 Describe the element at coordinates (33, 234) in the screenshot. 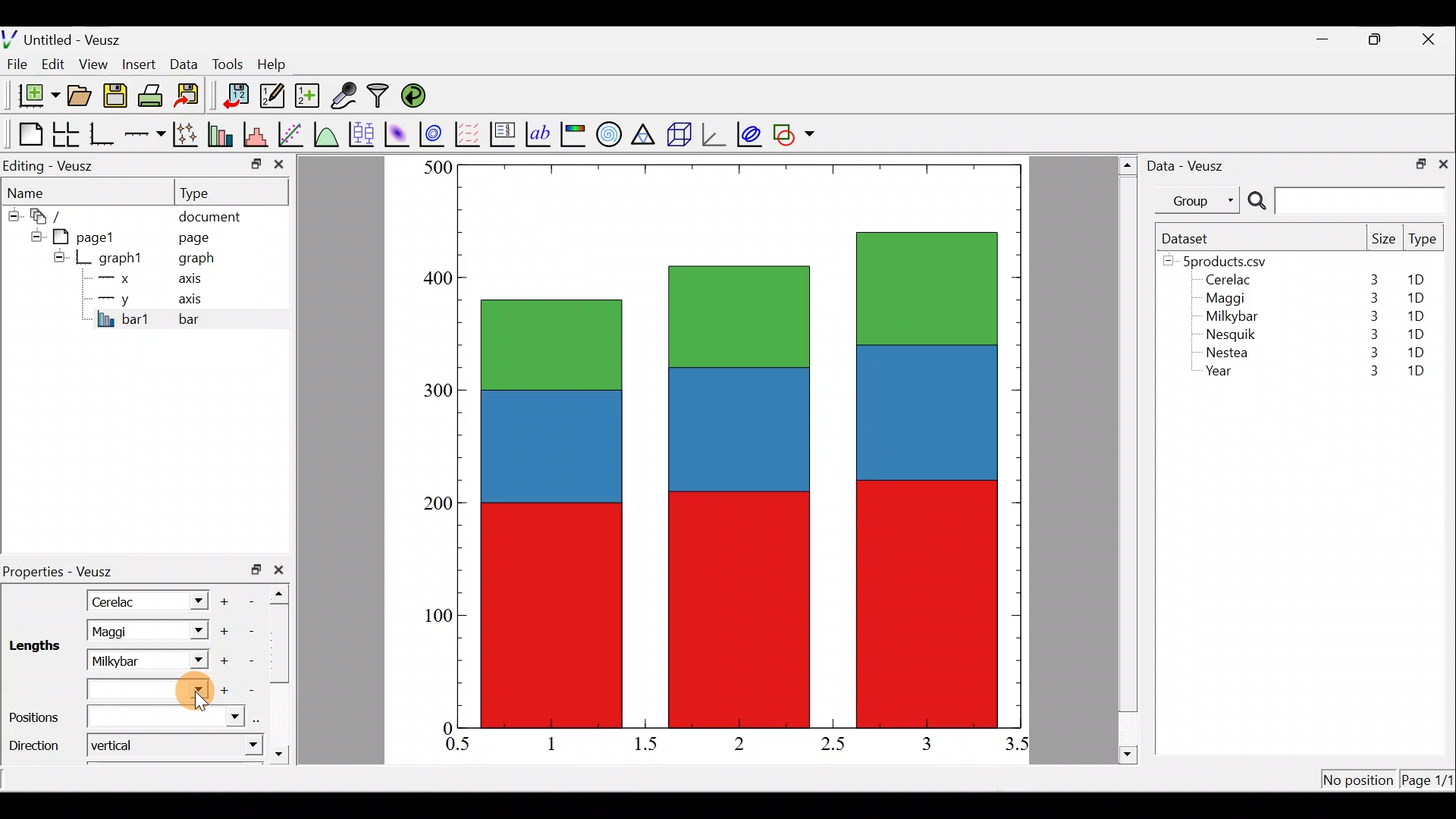

I see `hide` at that location.